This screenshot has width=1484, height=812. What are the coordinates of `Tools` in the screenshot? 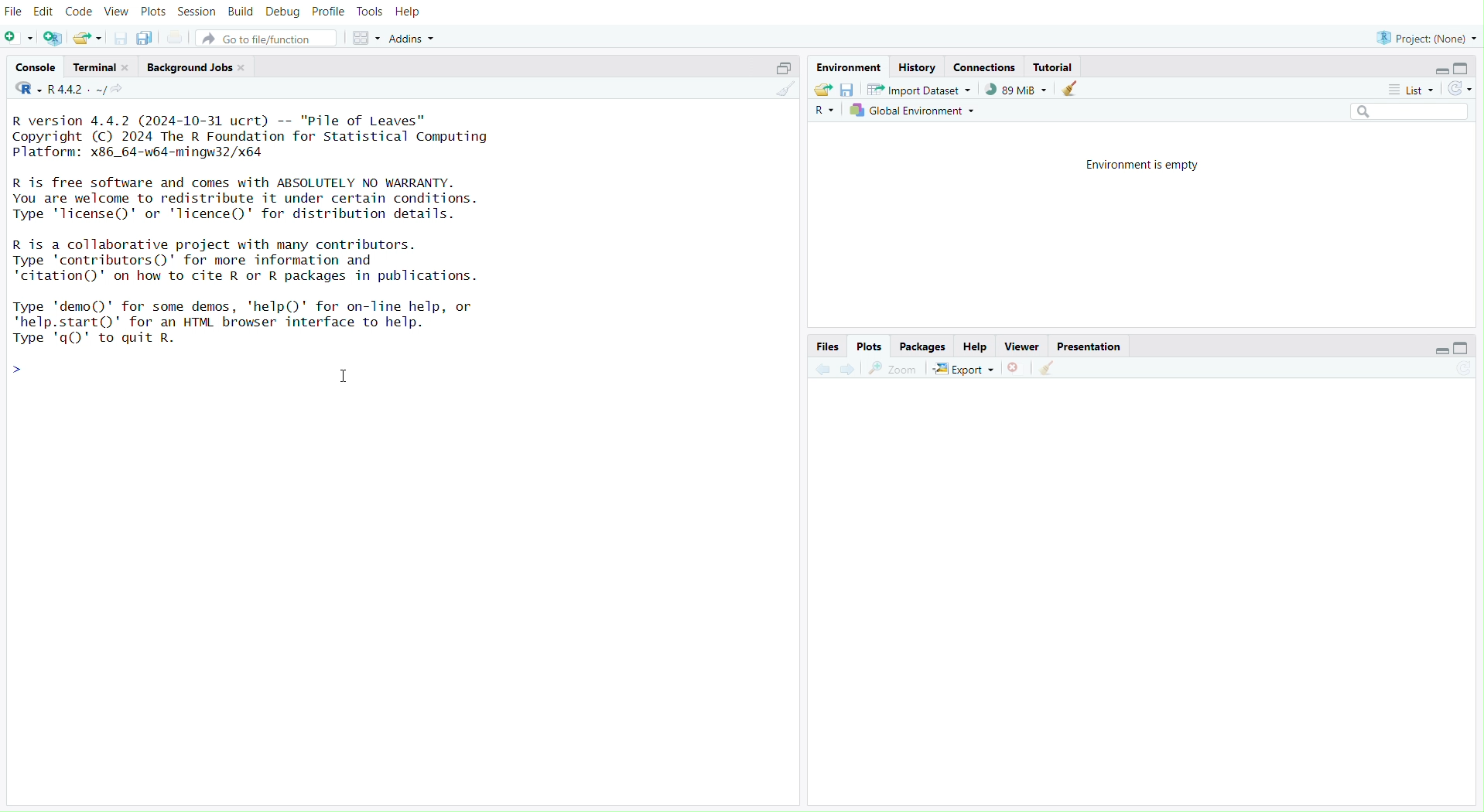 It's located at (369, 12).